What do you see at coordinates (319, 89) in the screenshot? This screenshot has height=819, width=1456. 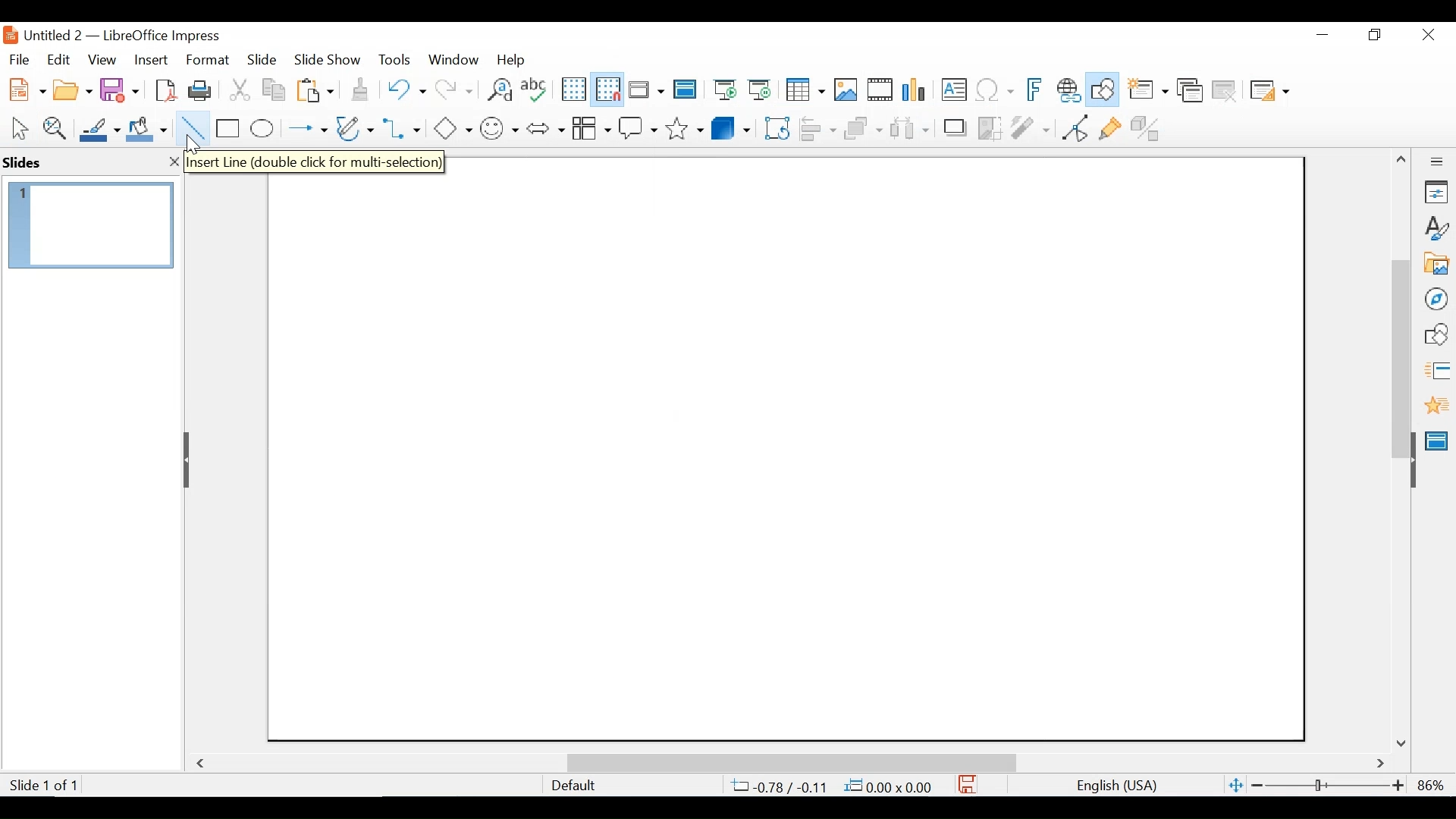 I see `Paste` at bounding box center [319, 89].